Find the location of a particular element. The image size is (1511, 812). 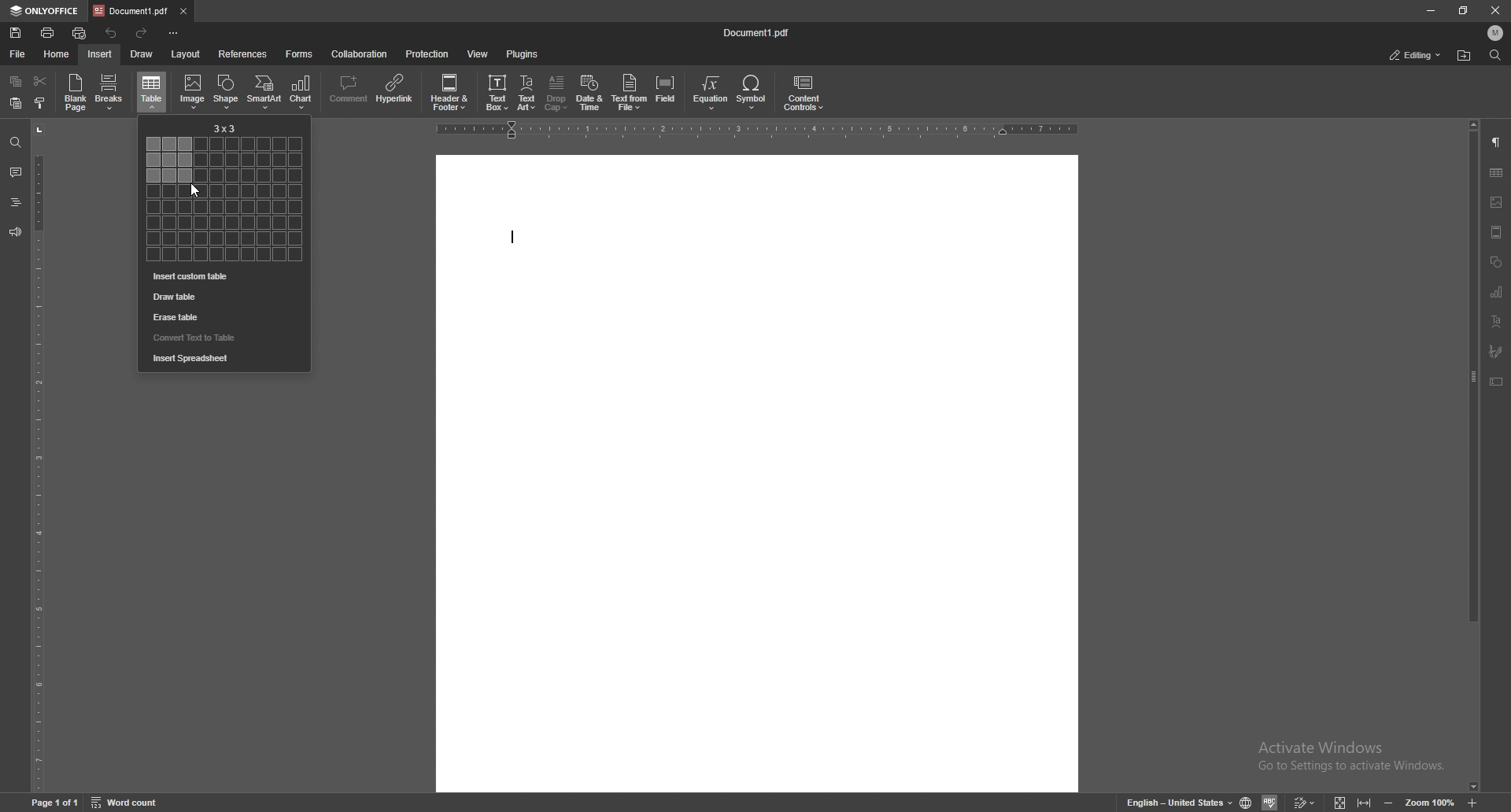

header is located at coordinates (1498, 234).